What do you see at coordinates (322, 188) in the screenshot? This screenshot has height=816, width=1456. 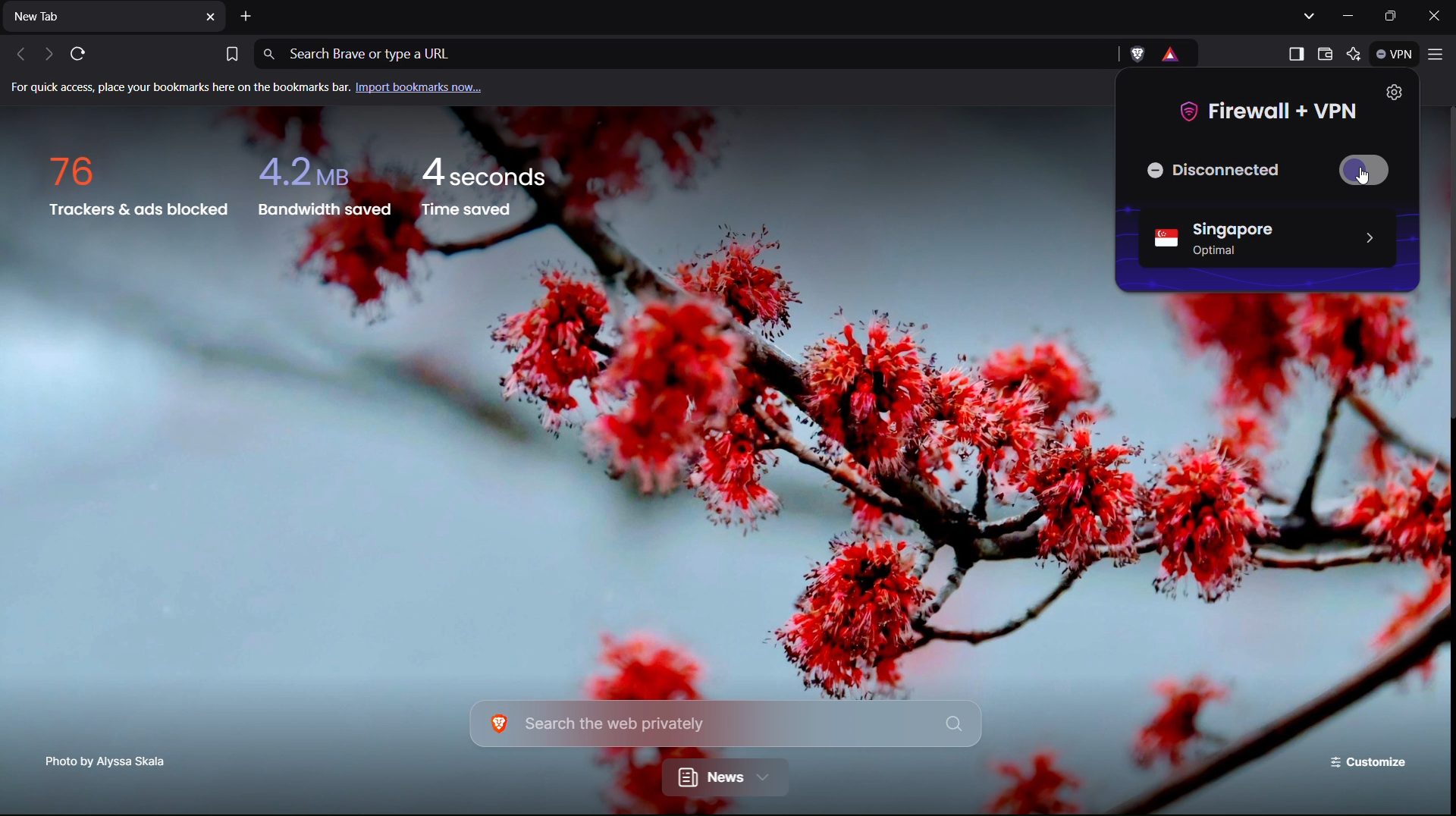 I see `Bandwidth saved` at bounding box center [322, 188].